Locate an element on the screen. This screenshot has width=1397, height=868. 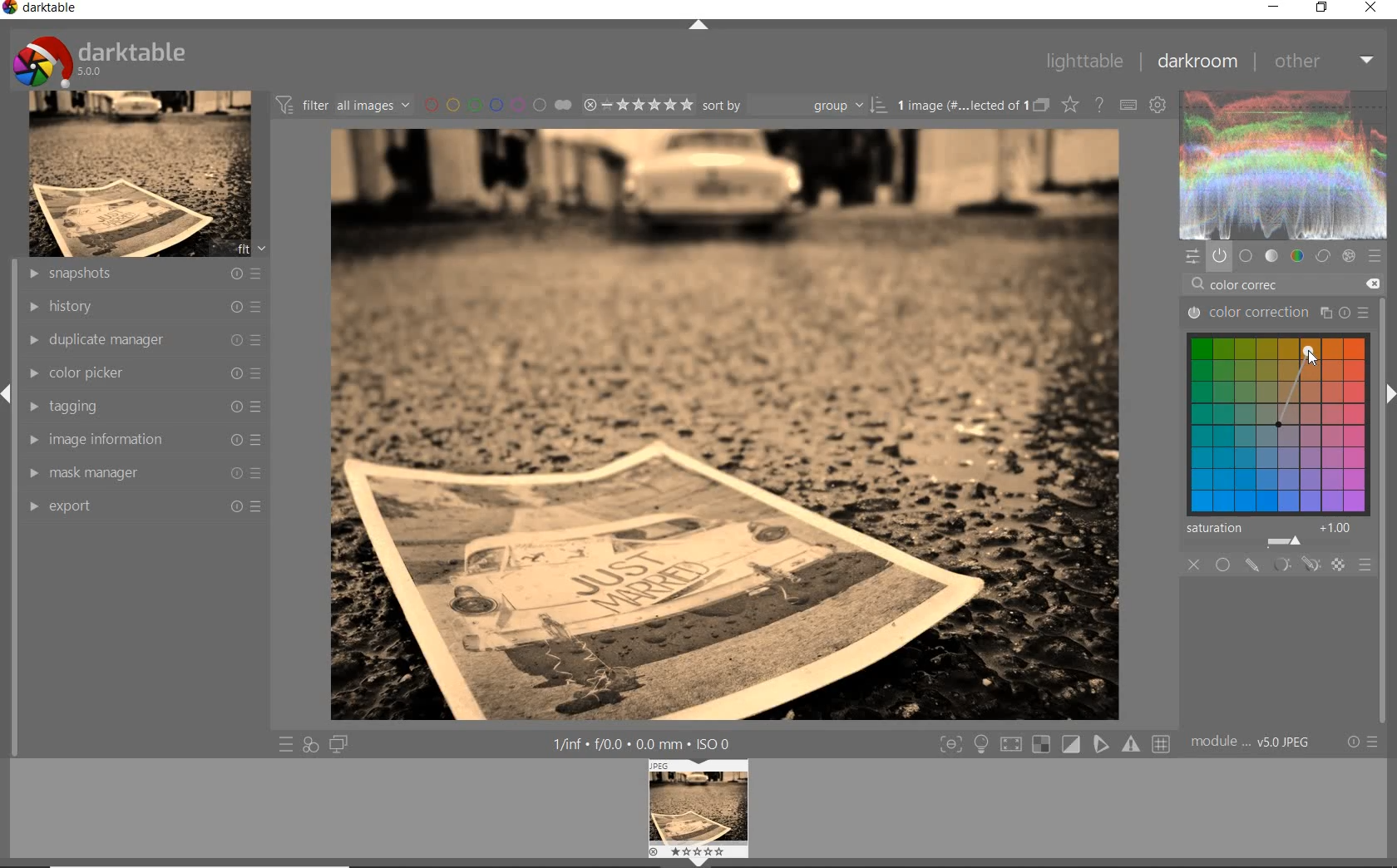
darktable is located at coordinates (101, 60).